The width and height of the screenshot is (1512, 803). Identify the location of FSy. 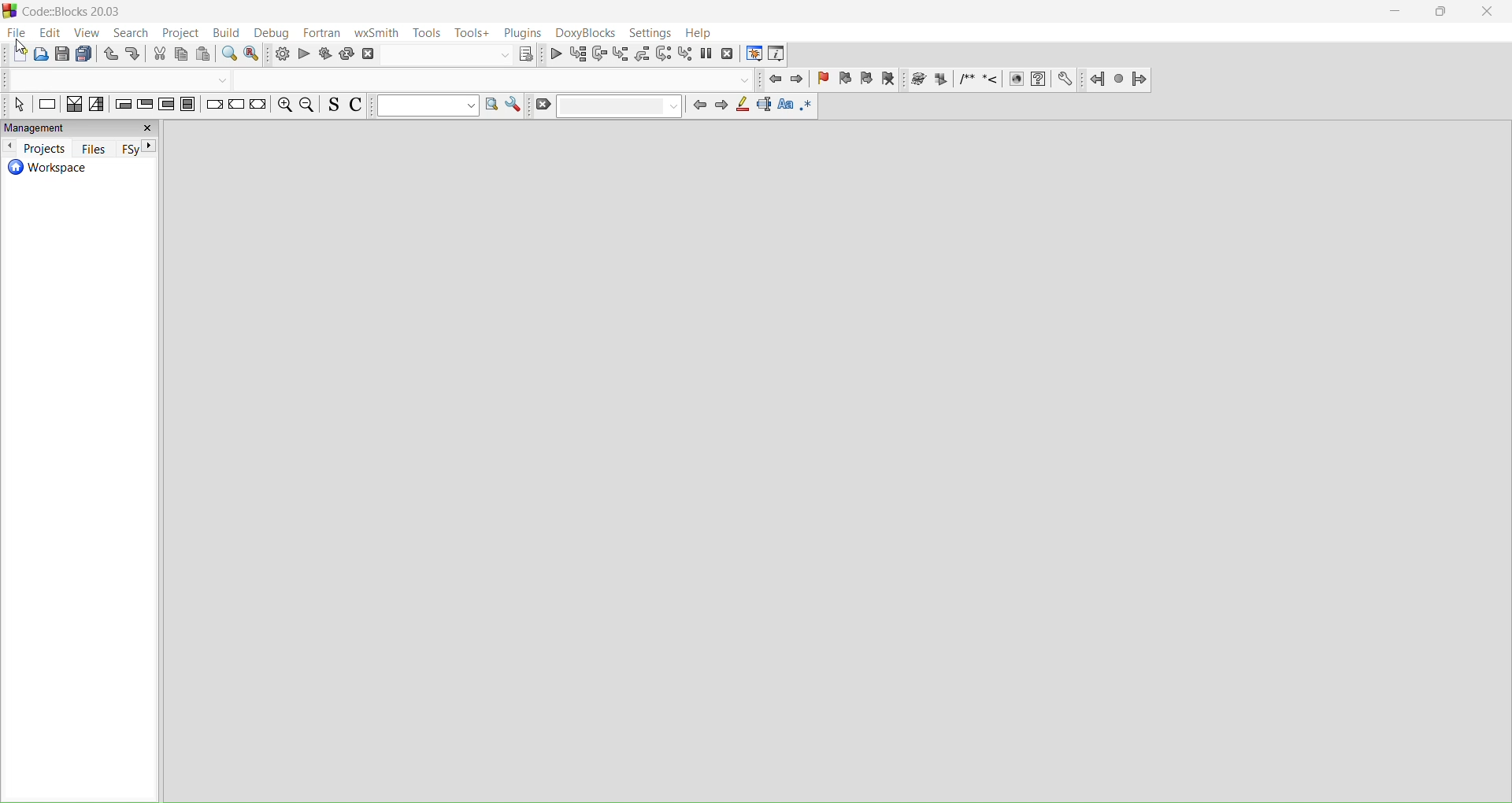
(139, 147).